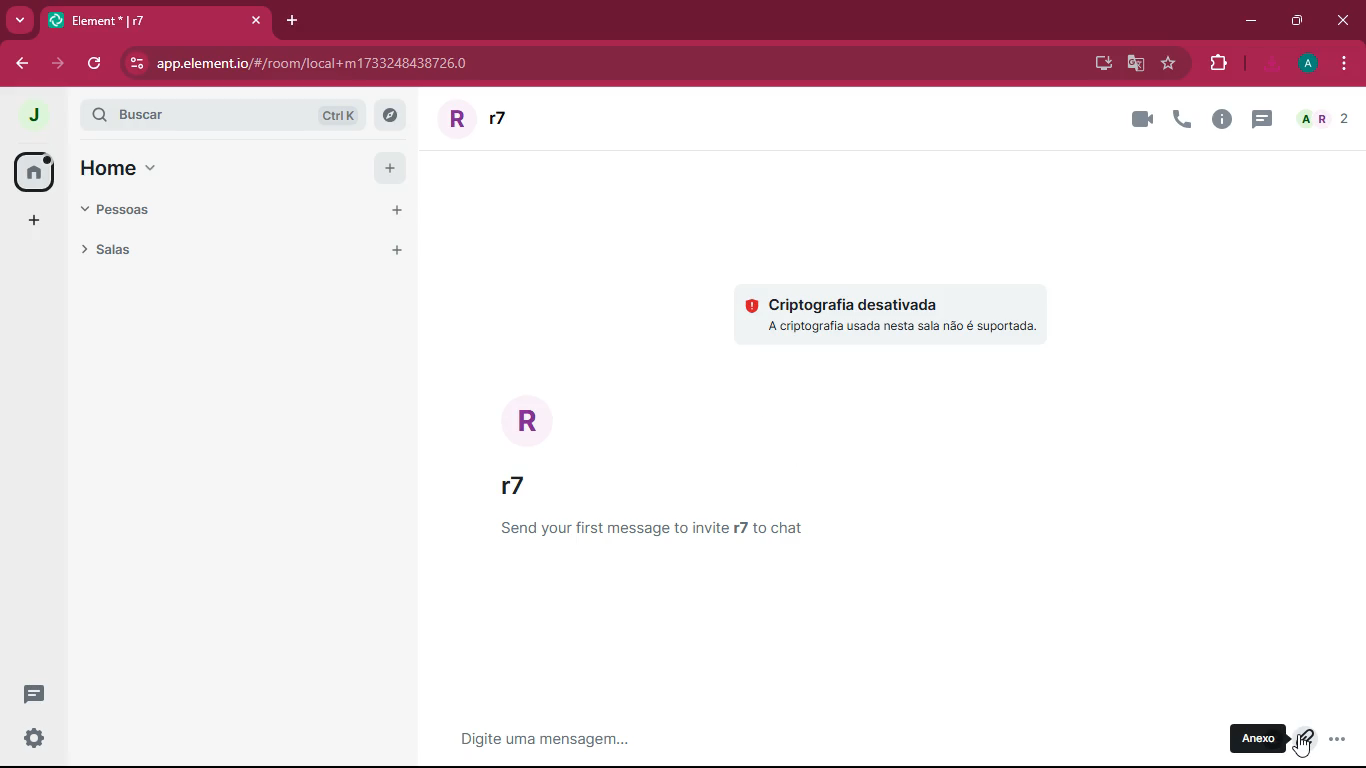  What do you see at coordinates (895, 310) in the screenshot?
I see `criptografia desativada a criptografia usada nesta sala nao e suportada` at bounding box center [895, 310].